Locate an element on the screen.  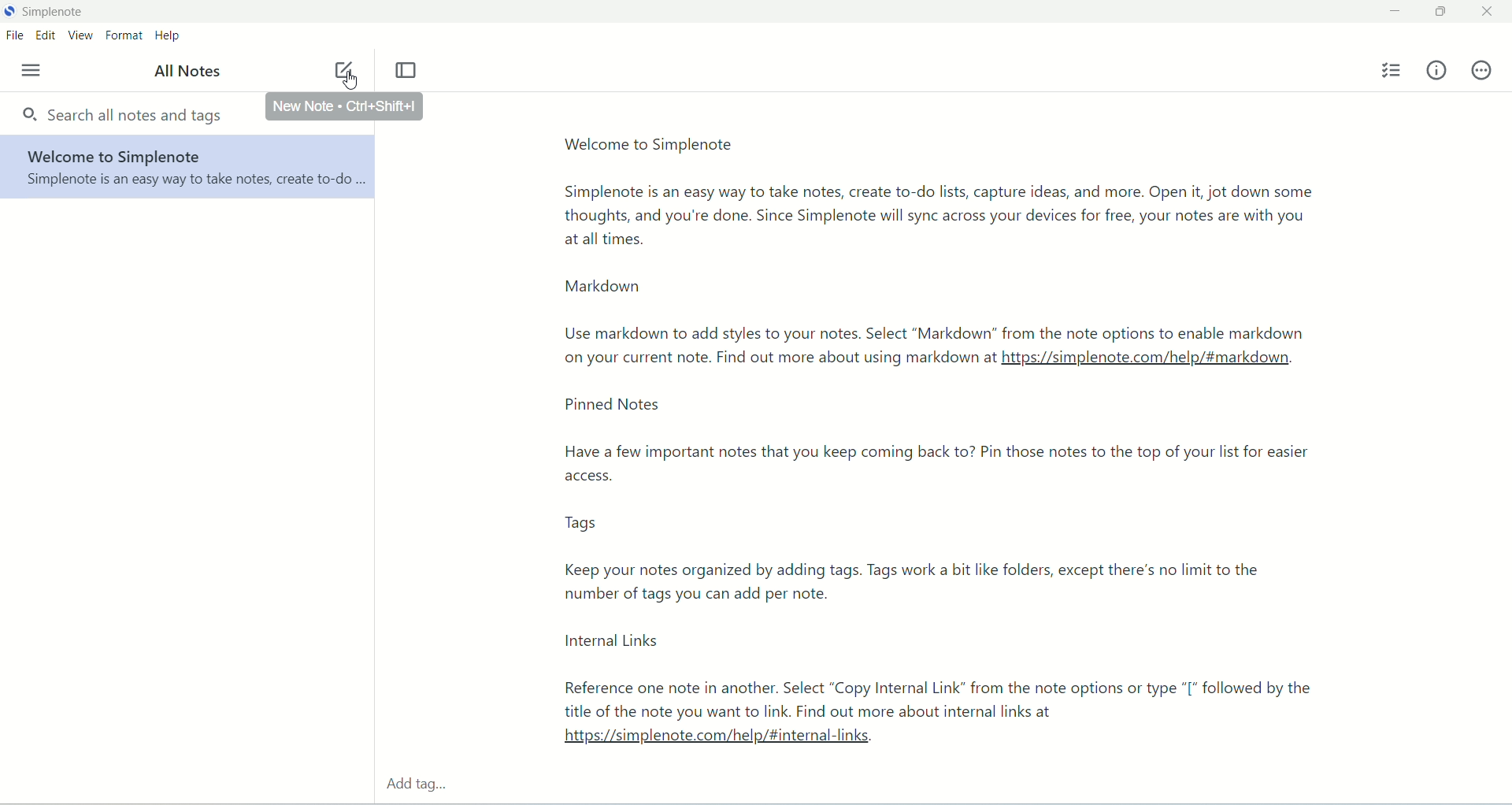
maximize is located at coordinates (1436, 15).